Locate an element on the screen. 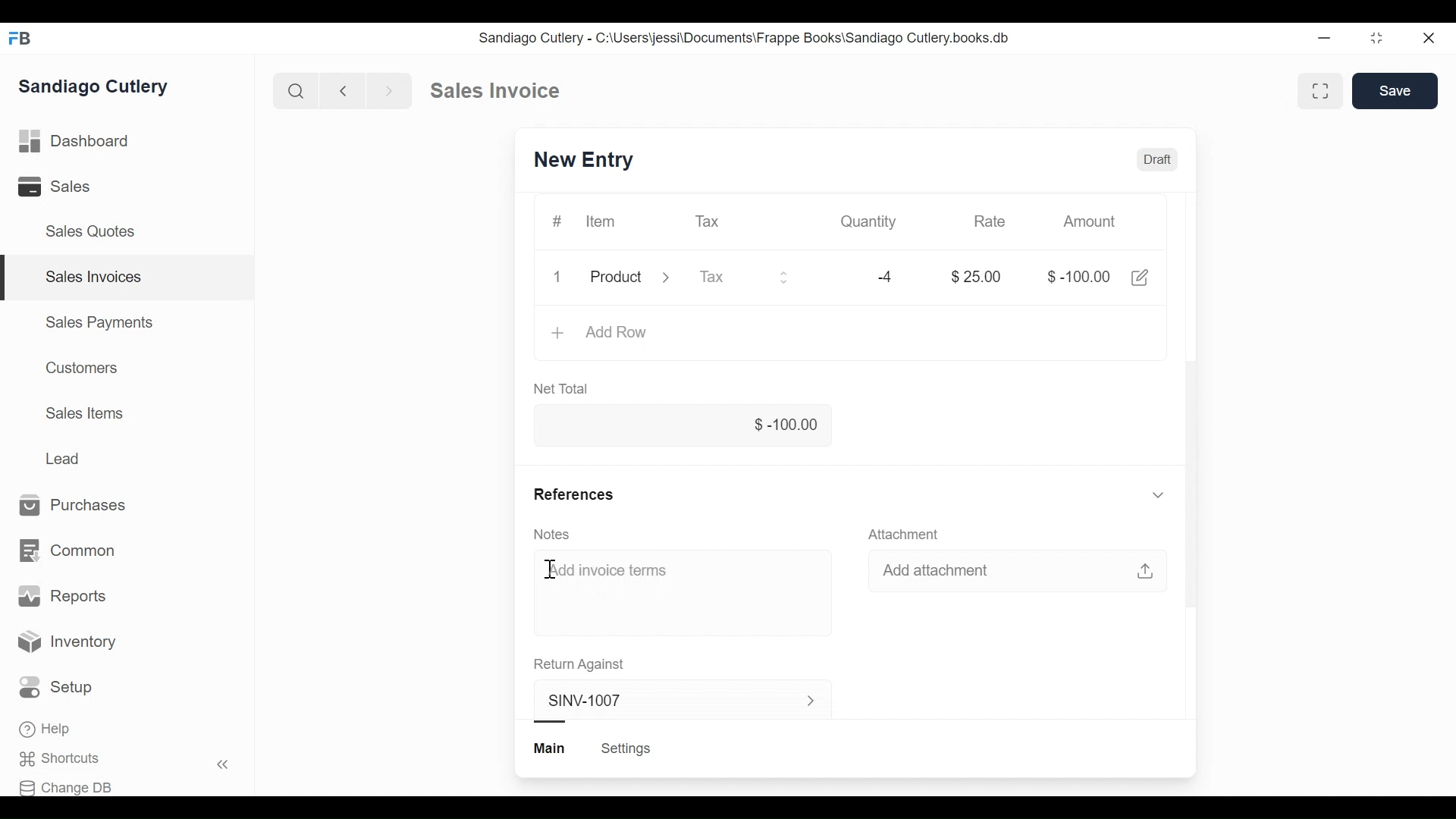 Image resolution: width=1456 pixels, height=819 pixels. $-100.00 is located at coordinates (1077, 276).